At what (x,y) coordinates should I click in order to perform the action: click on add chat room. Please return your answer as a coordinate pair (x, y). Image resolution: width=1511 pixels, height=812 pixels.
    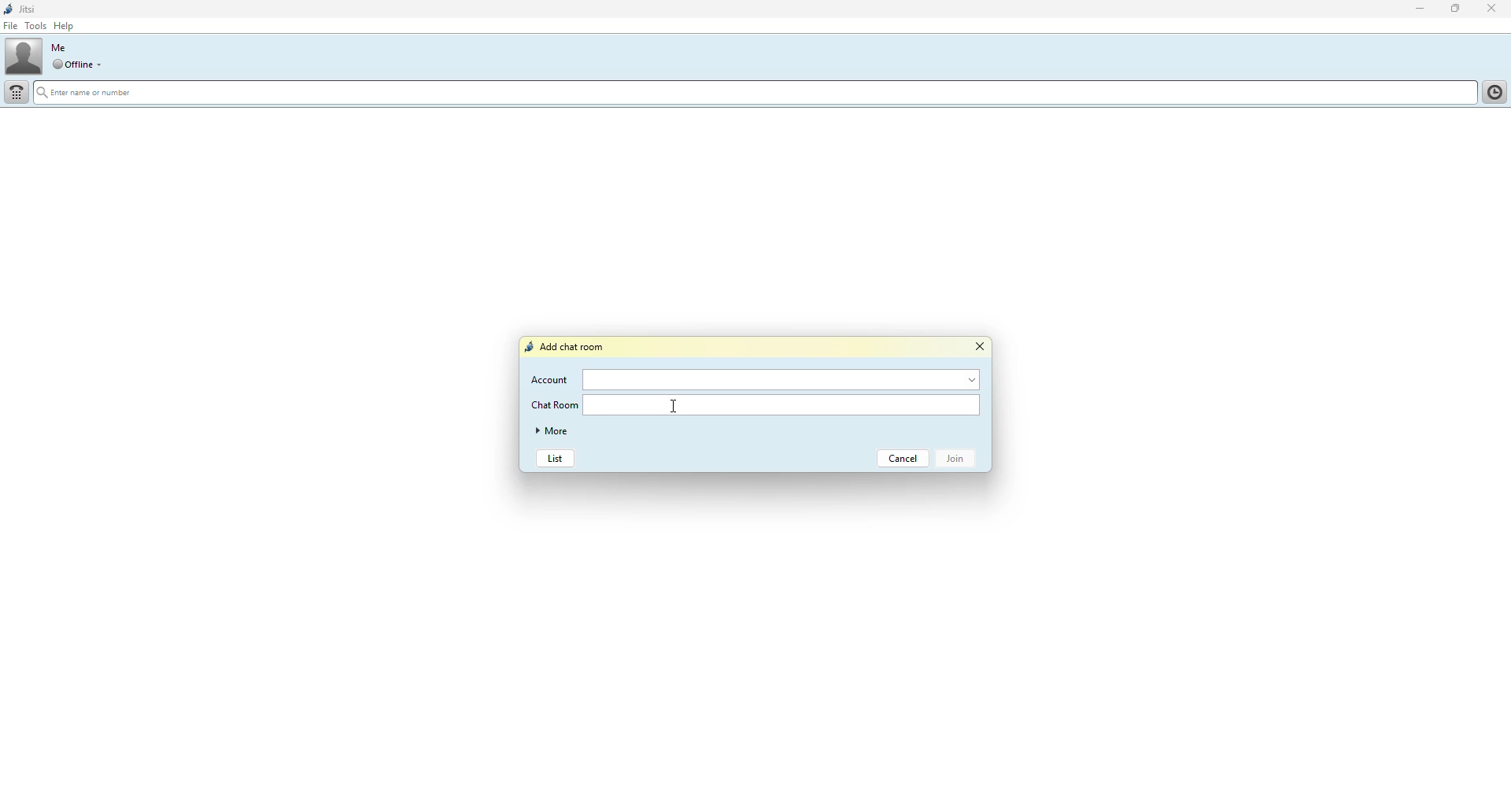
    Looking at the image, I should click on (567, 347).